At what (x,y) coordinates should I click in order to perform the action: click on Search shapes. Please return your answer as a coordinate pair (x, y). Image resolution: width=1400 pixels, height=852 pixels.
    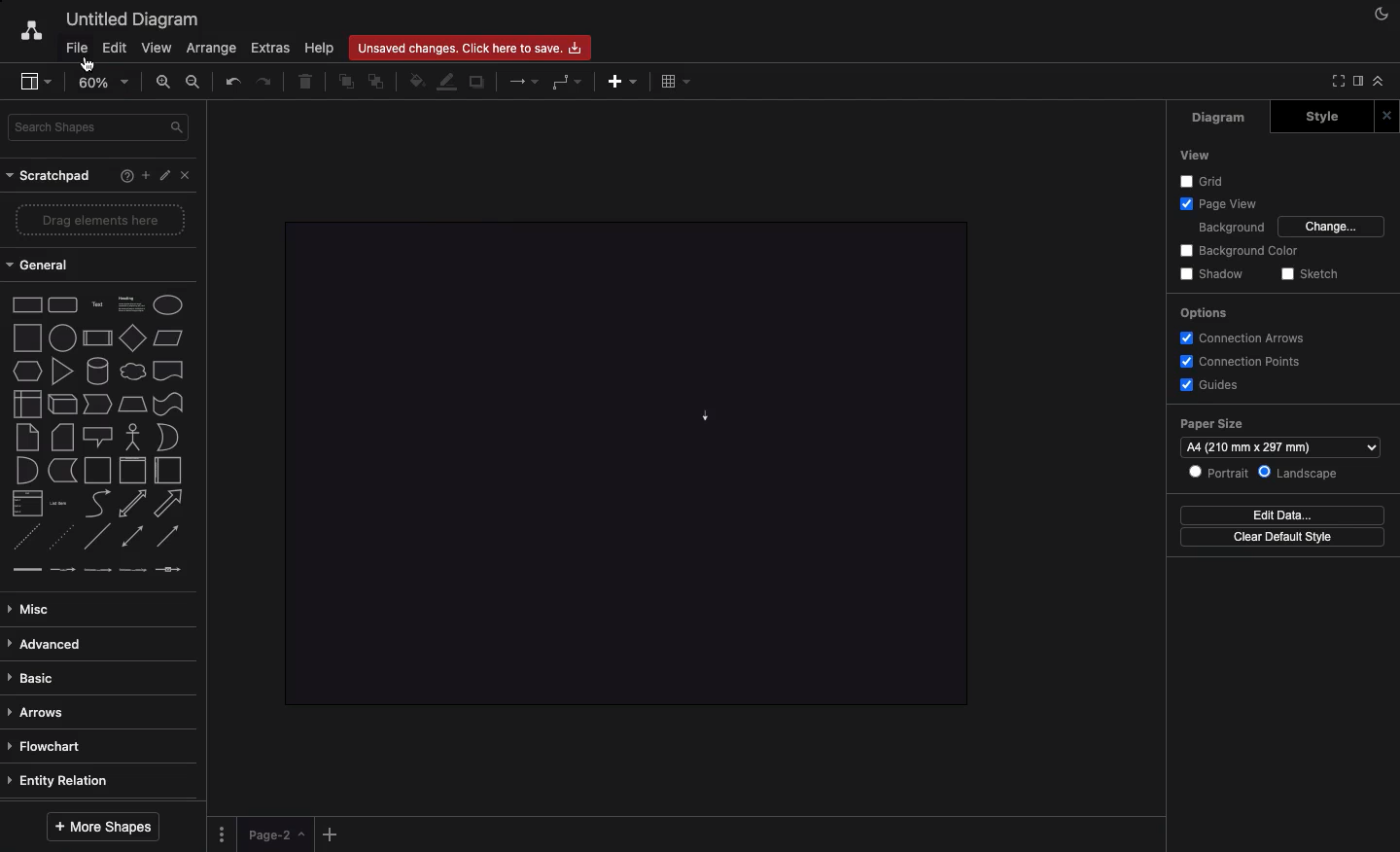
    Looking at the image, I should click on (98, 128).